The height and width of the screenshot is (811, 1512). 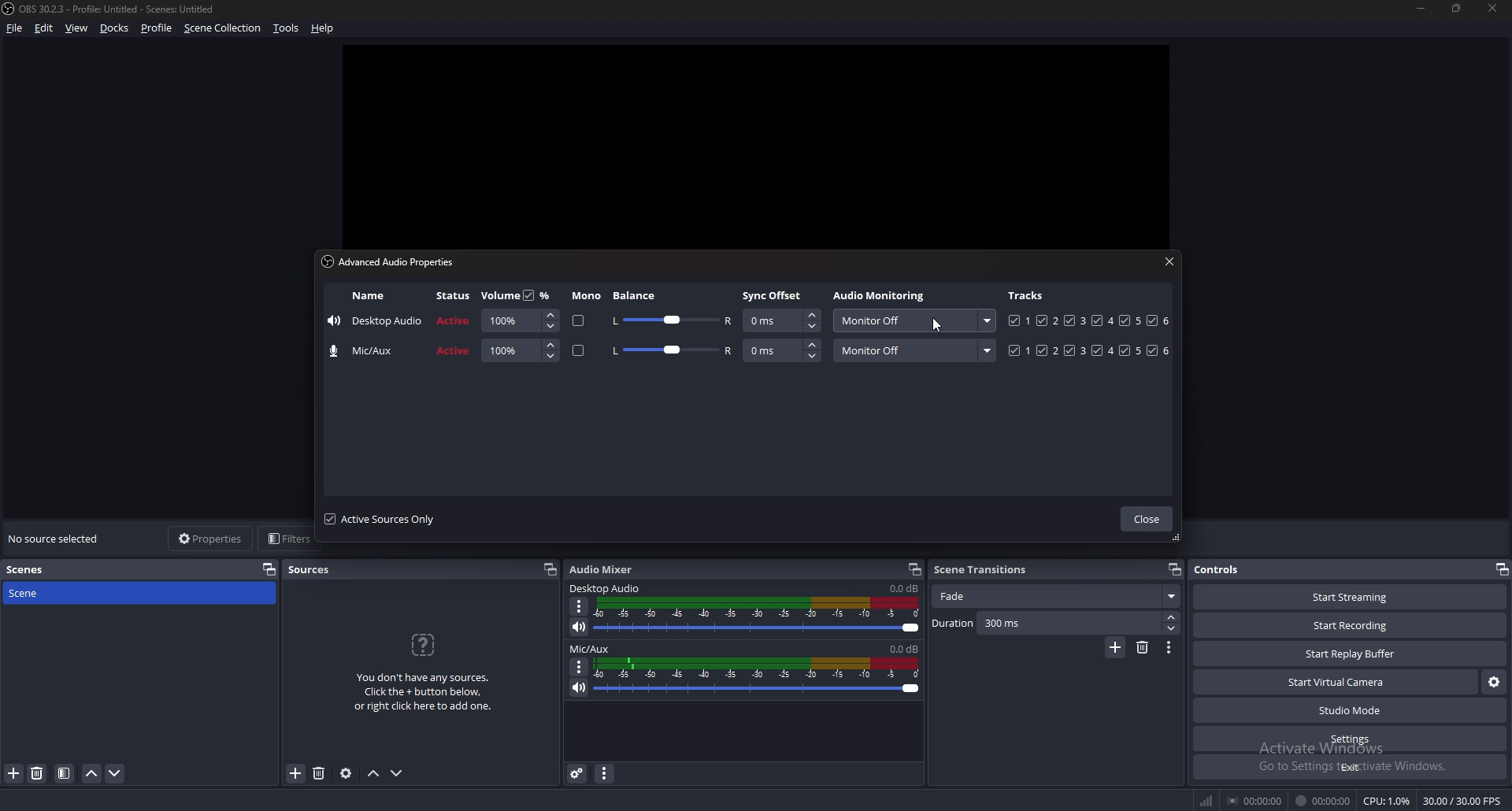 I want to click on volume adjust, so click(x=758, y=676).